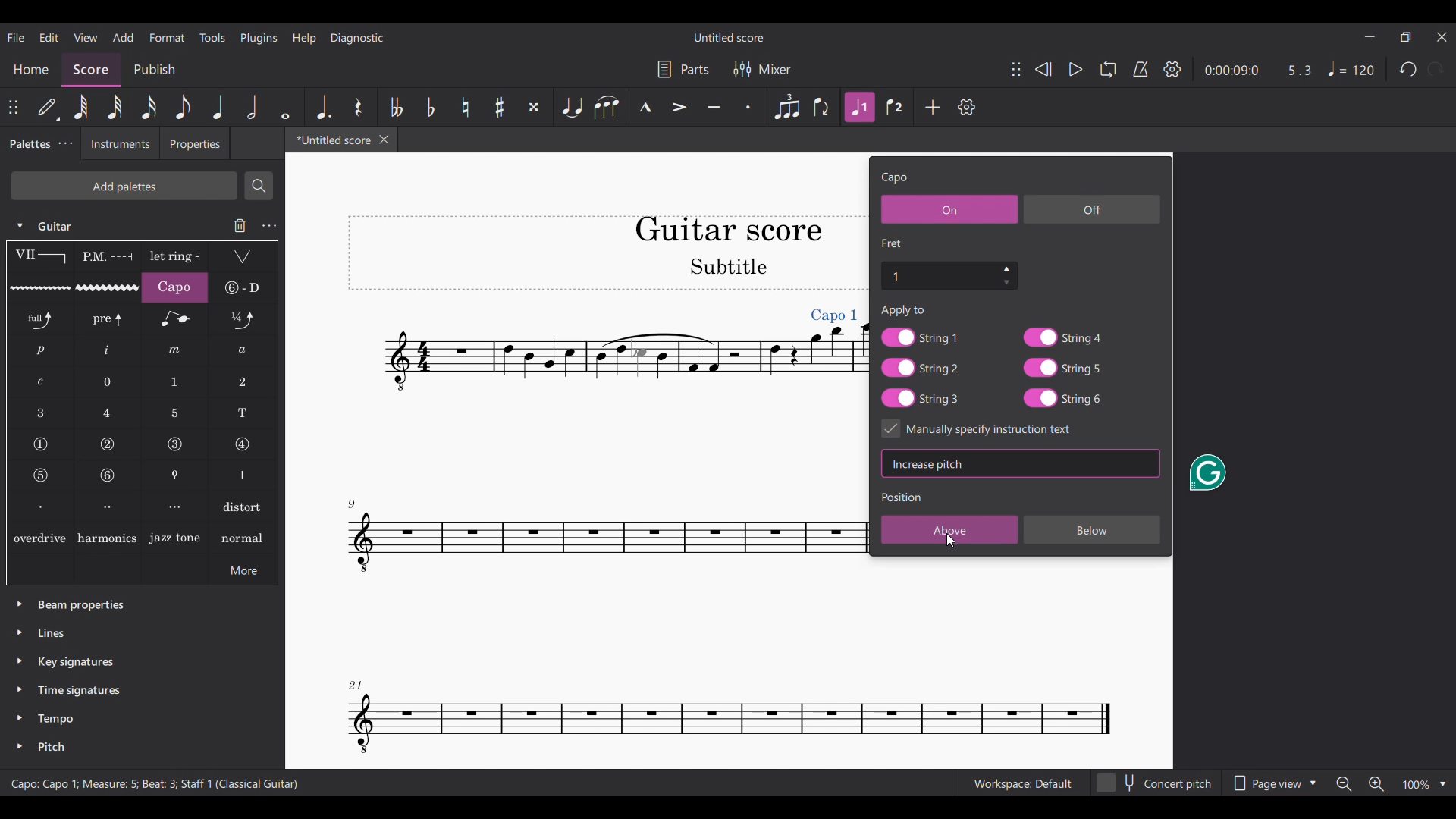 This screenshot has height=819, width=1456. What do you see at coordinates (39, 537) in the screenshot?
I see `overdrive` at bounding box center [39, 537].